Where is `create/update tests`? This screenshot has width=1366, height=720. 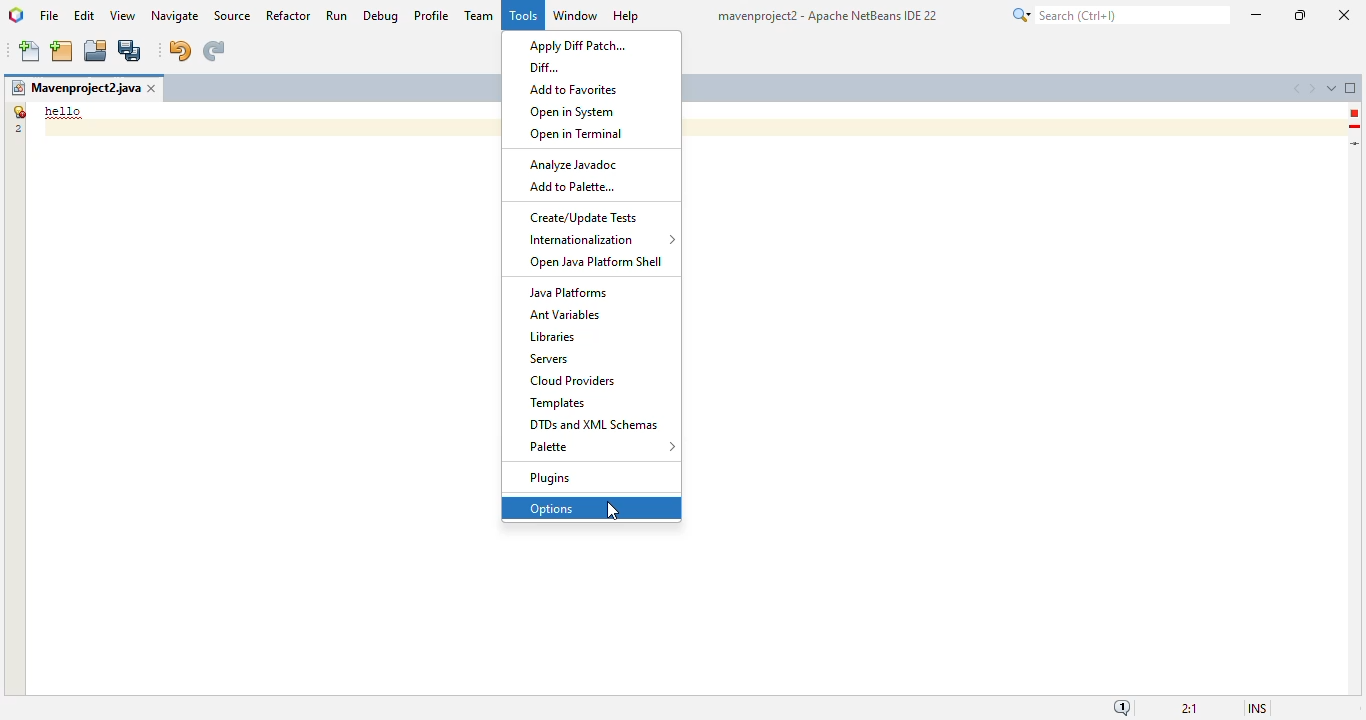 create/update tests is located at coordinates (583, 218).